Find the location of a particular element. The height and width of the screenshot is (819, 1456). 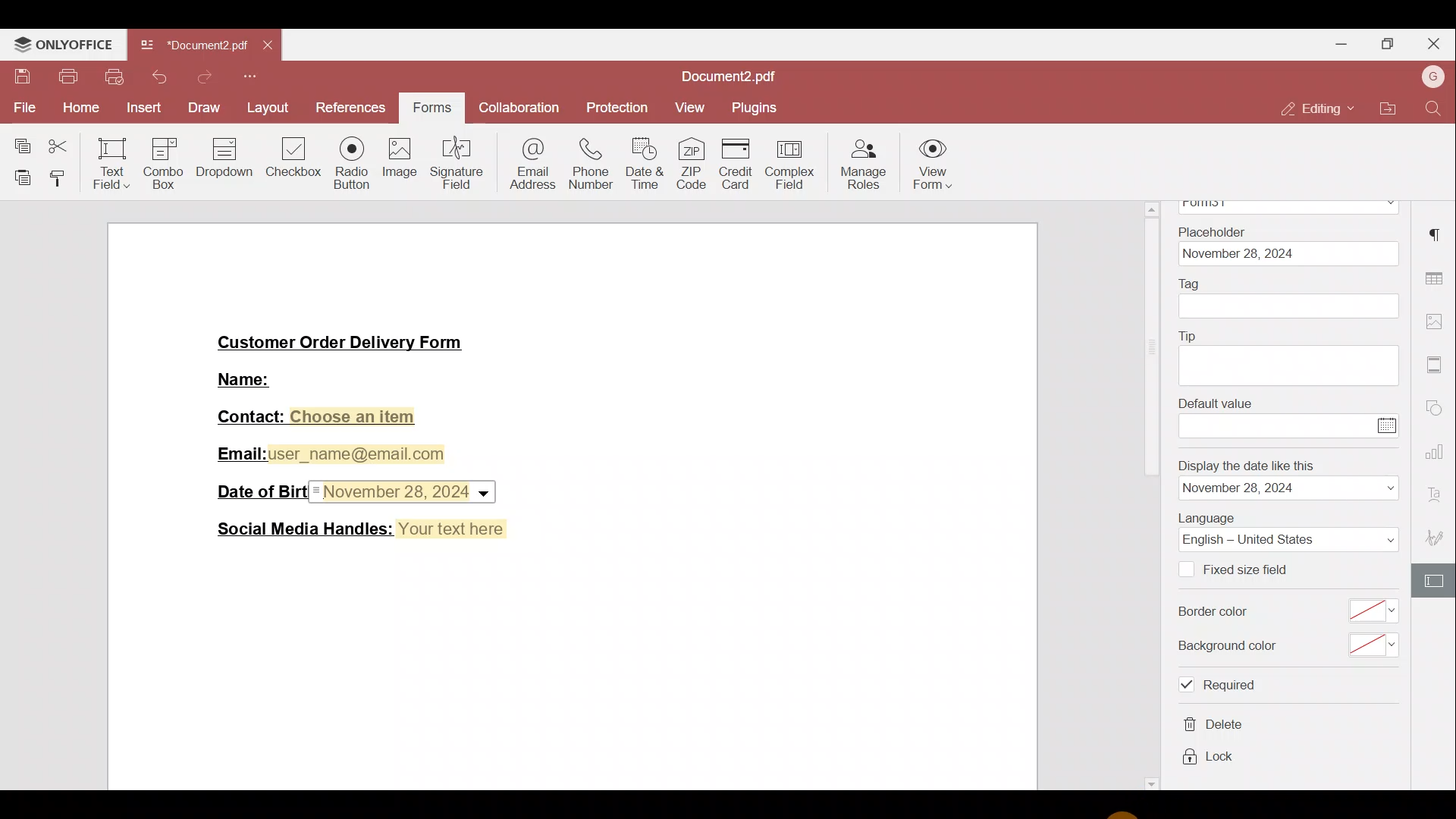

Draw is located at coordinates (202, 107).